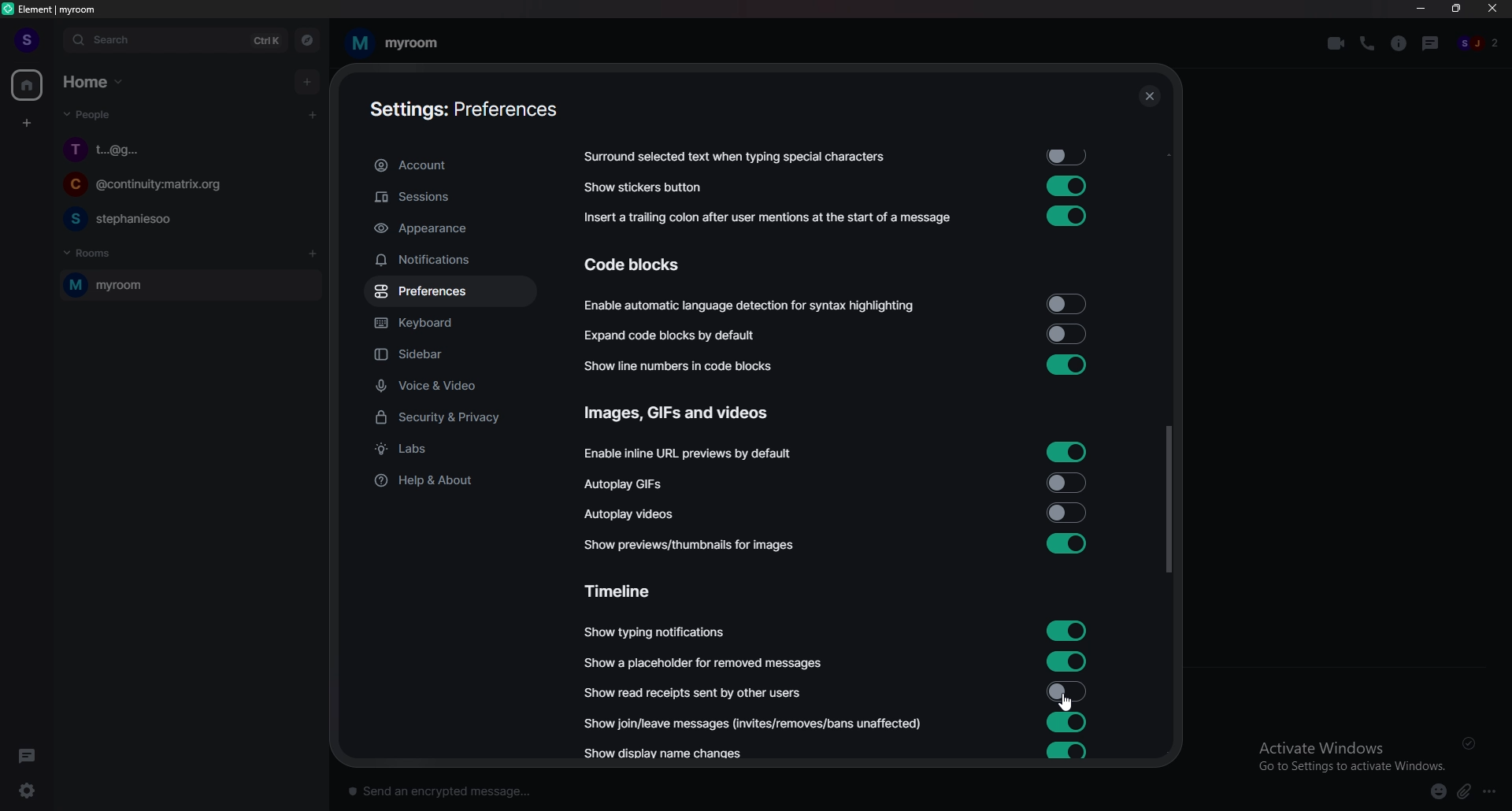  I want to click on more options, so click(1494, 792).